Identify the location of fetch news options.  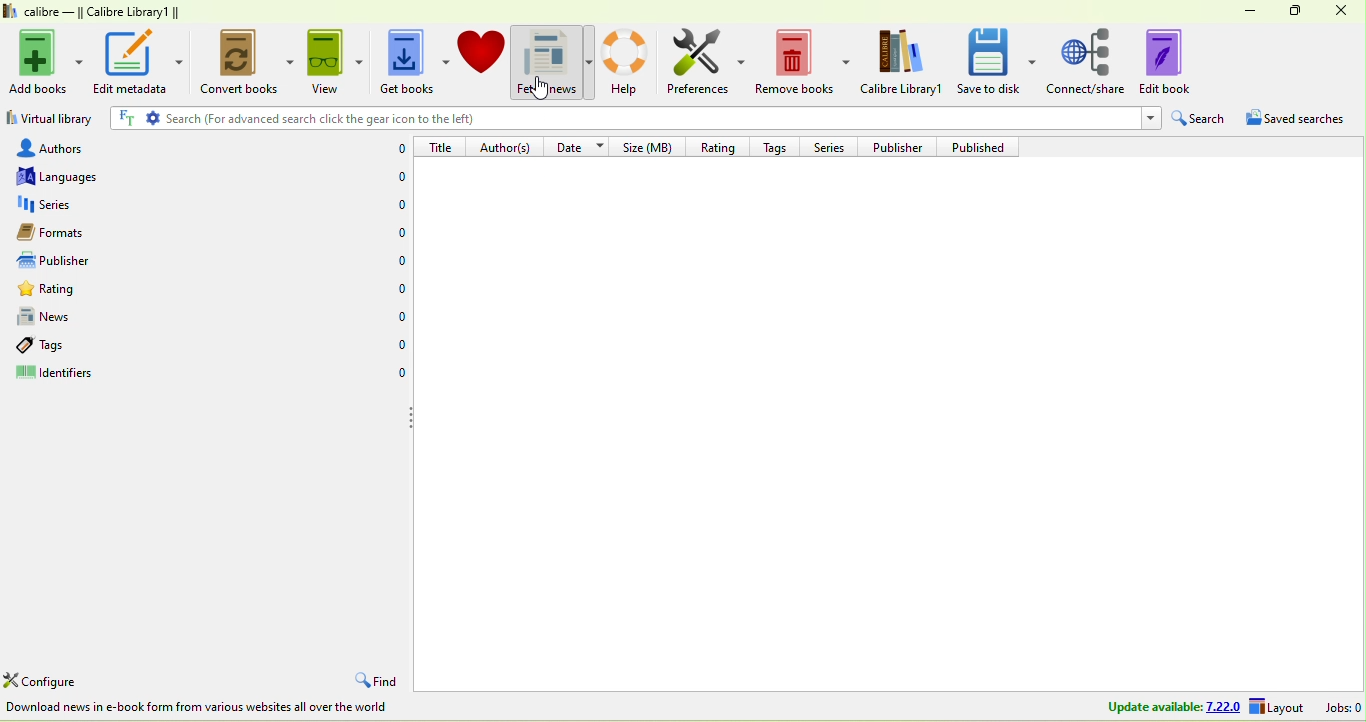
(590, 60).